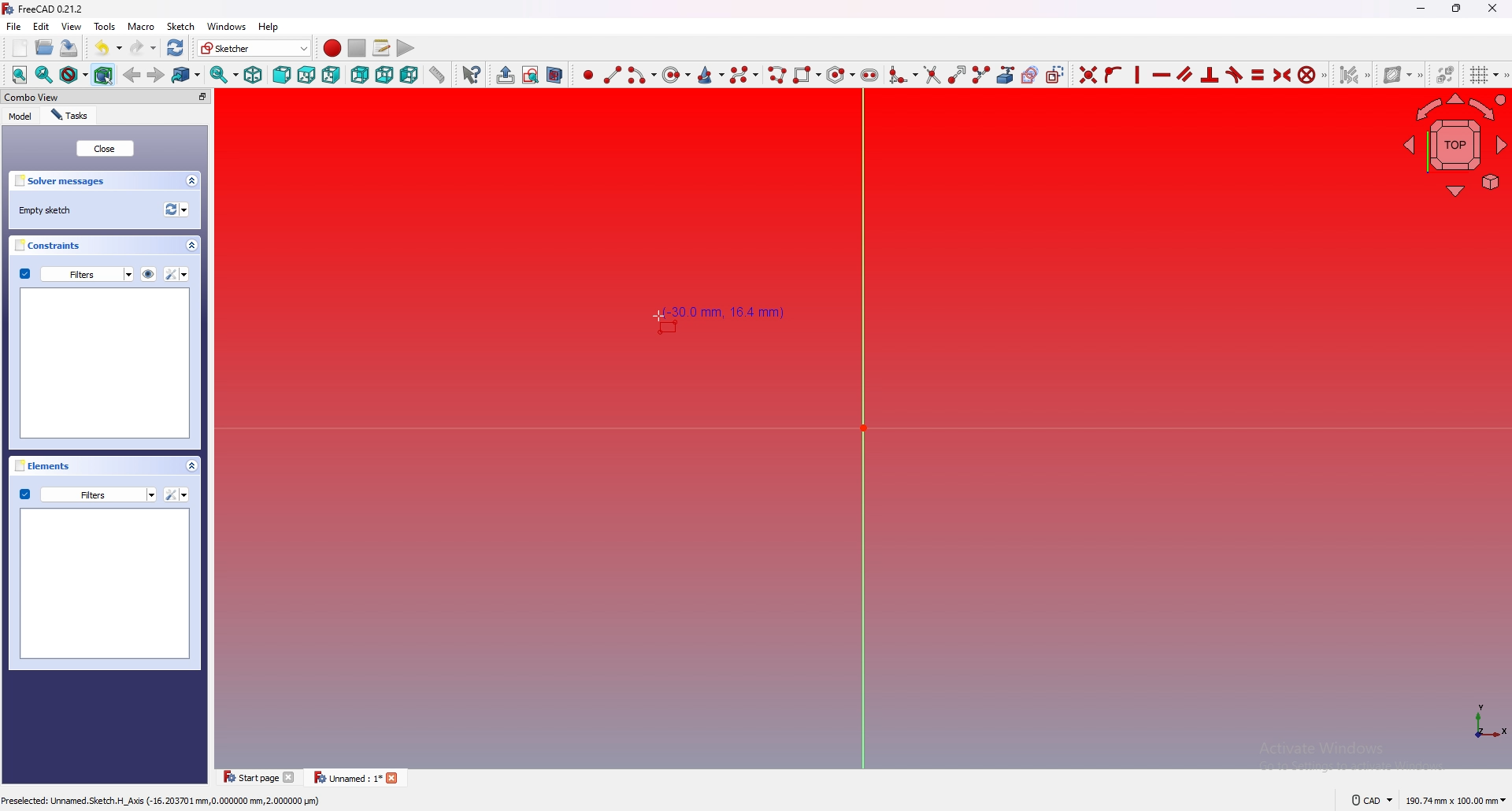  Describe the element at coordinates (109, 47) in the screenshot. I see `undo` at that location.